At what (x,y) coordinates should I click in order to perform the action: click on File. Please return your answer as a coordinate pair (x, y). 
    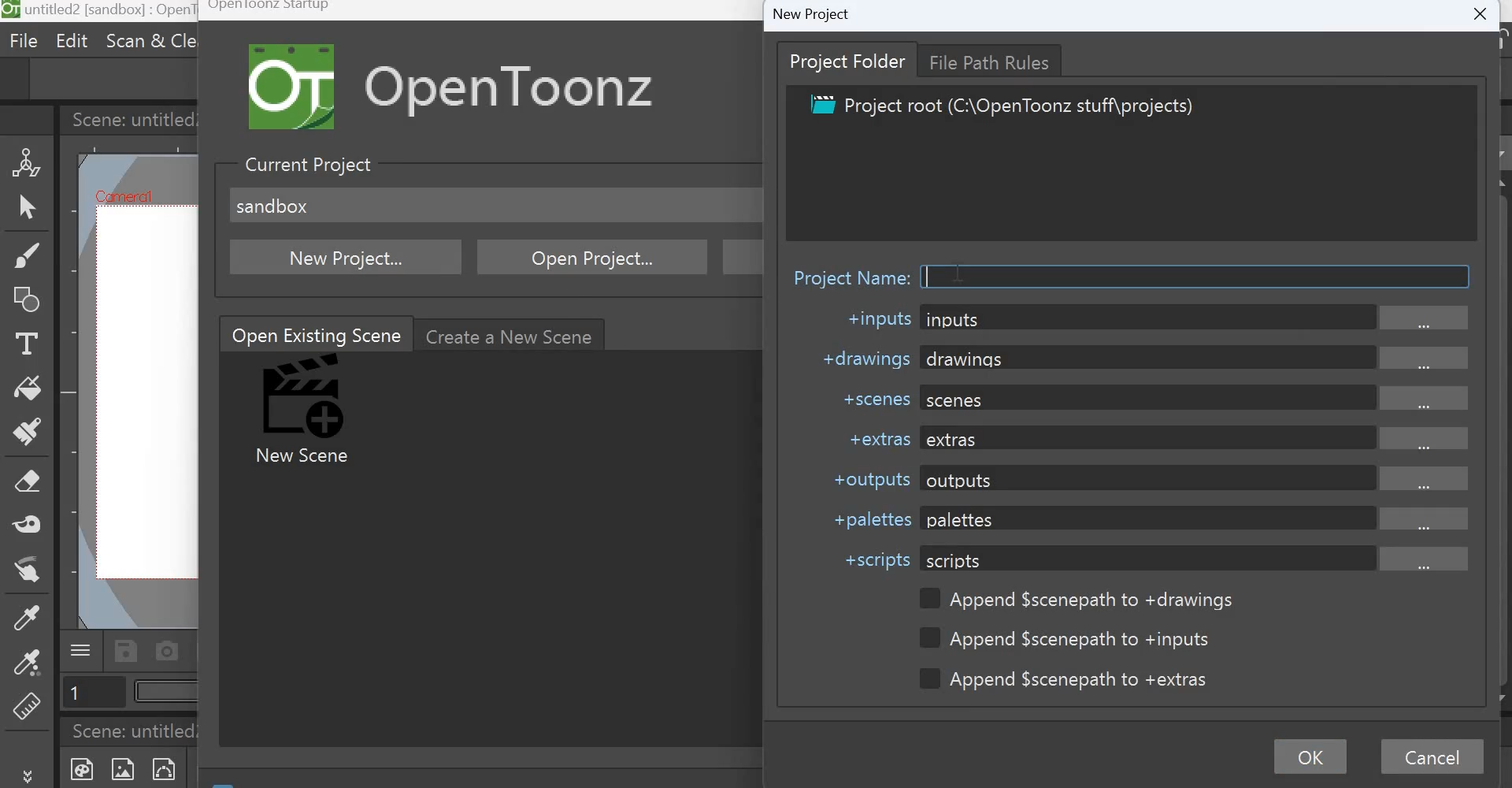
    Looking at the image, I should click on (26, 42).